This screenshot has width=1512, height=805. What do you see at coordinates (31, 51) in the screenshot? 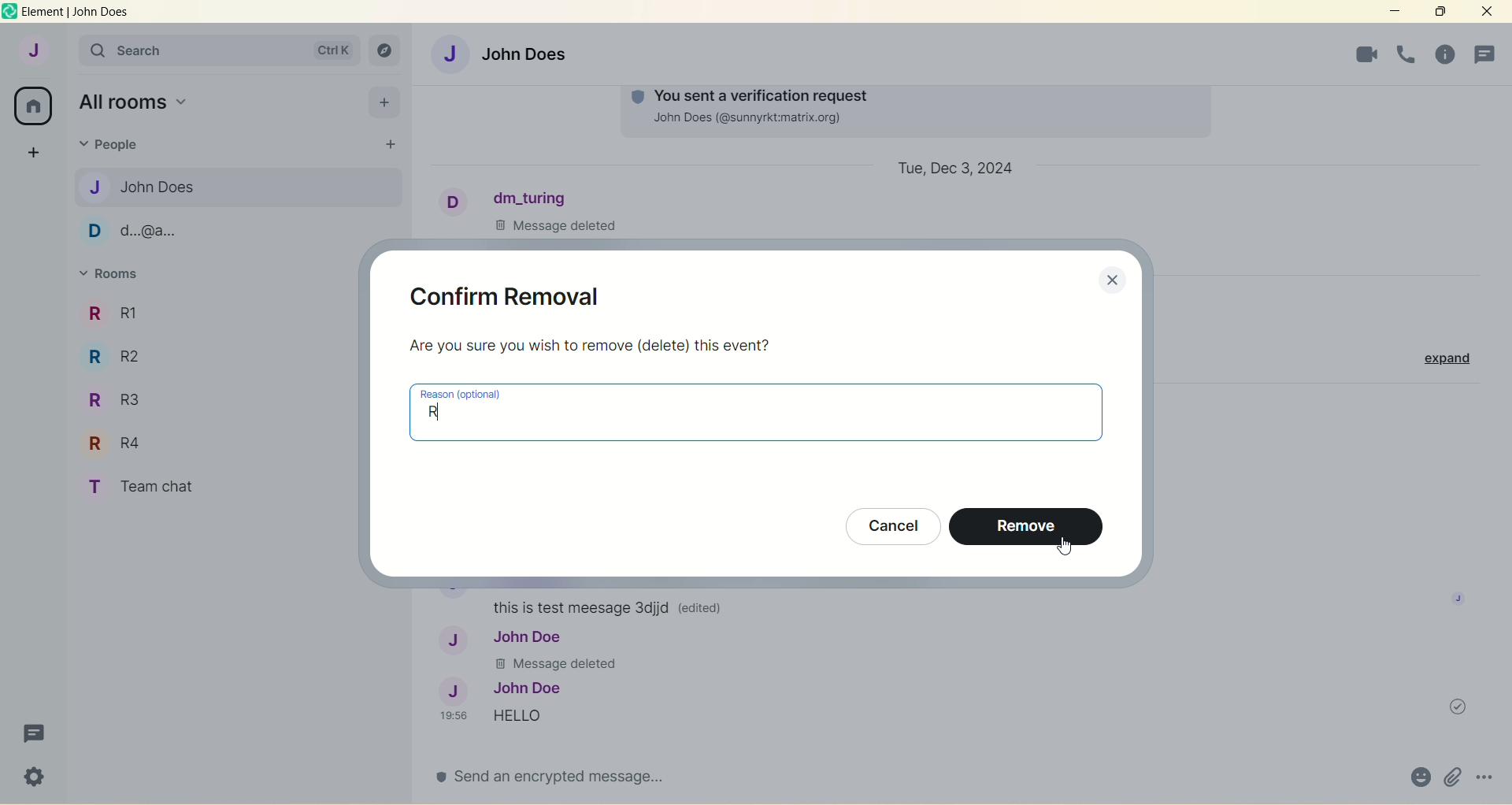
I see `account J` at bounding box center [31, 51].